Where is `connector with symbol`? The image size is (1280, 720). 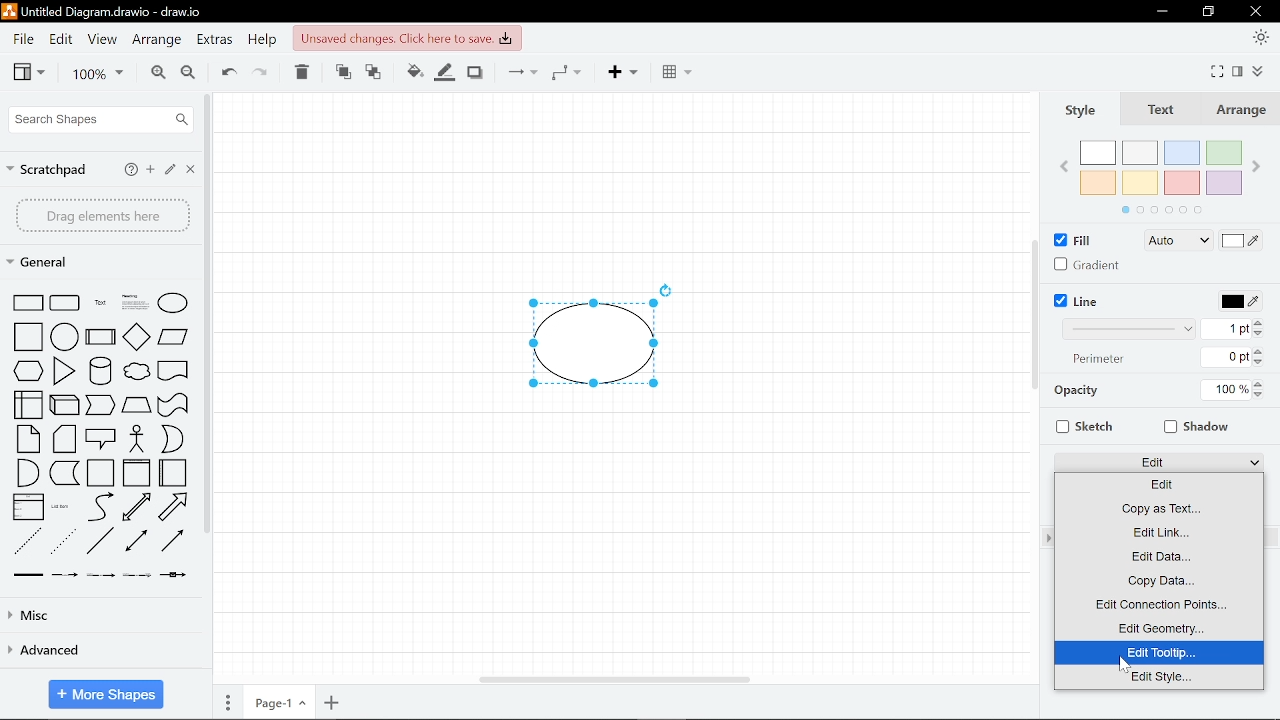
connector with symbol is located at coordinates (171, 575).